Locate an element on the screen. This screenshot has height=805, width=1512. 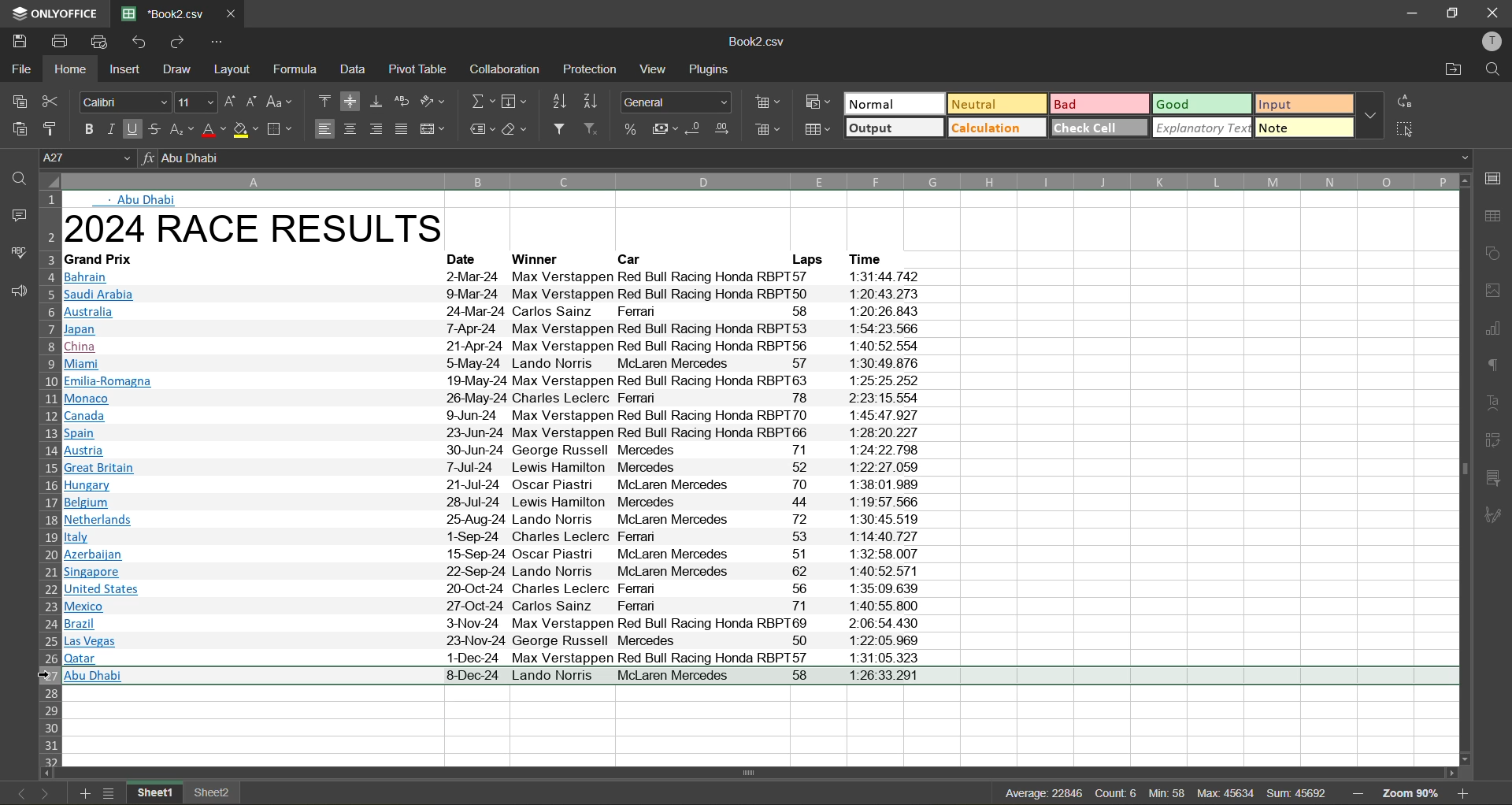
images is located at coordinates (1494, 291).